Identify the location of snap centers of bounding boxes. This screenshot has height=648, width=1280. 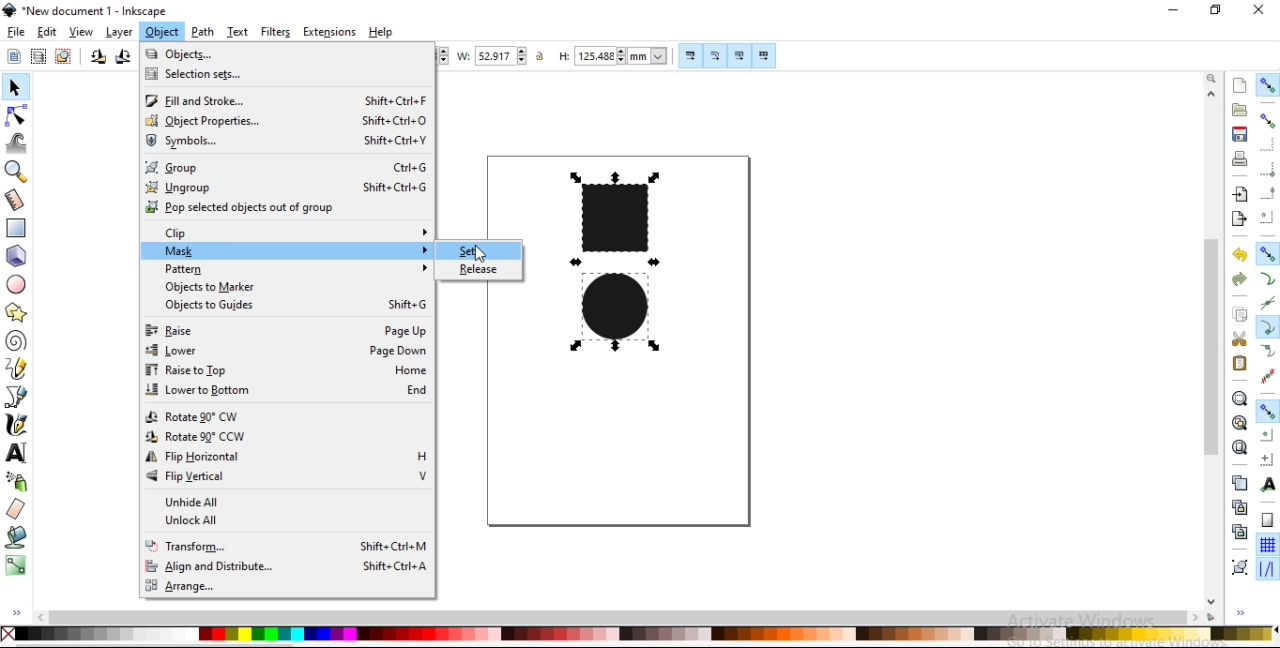
(1265, 216).